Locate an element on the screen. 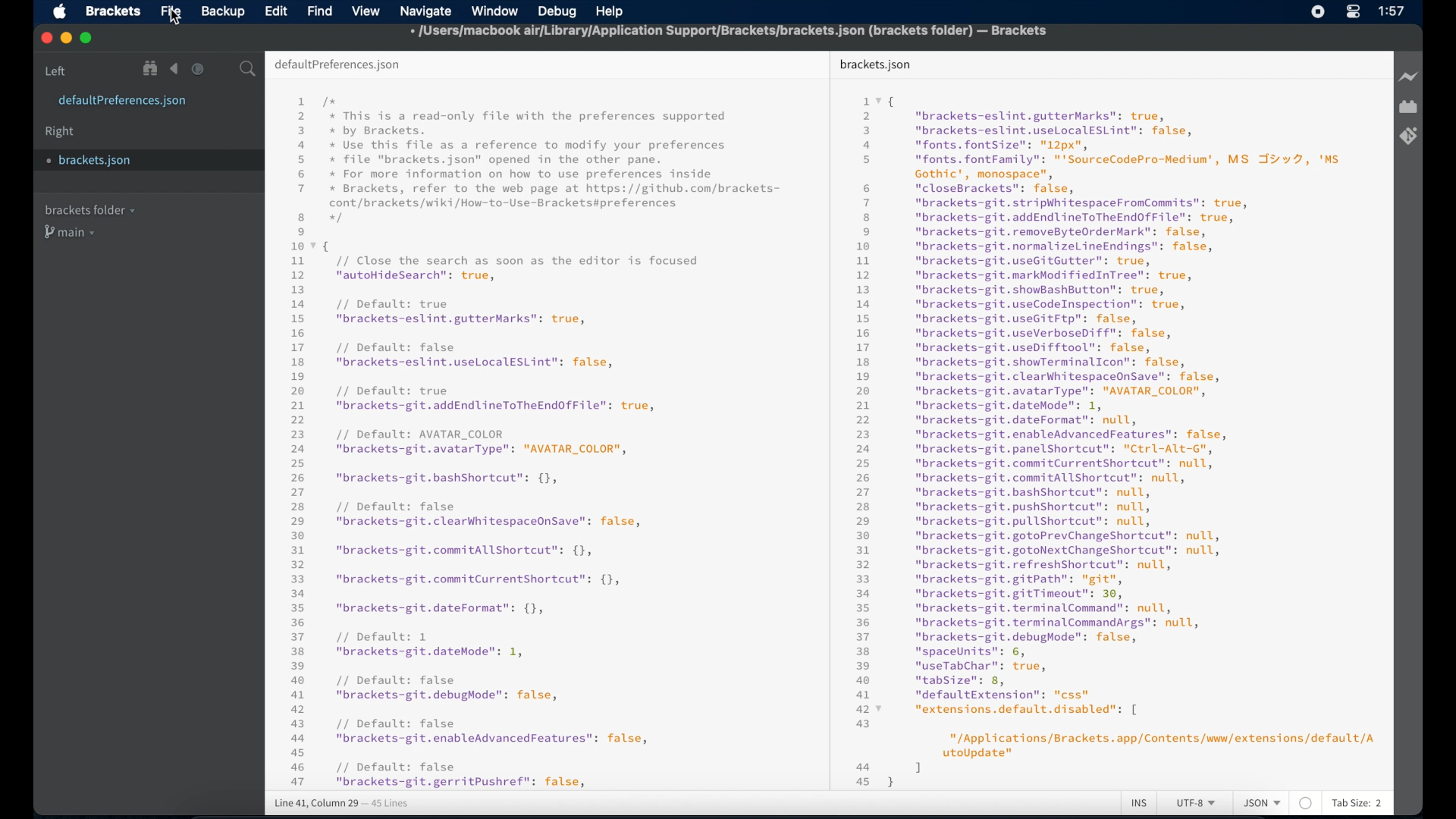 The width and height of the screenshot is (1456, 819). maximize is located at coordinates (87, 39).